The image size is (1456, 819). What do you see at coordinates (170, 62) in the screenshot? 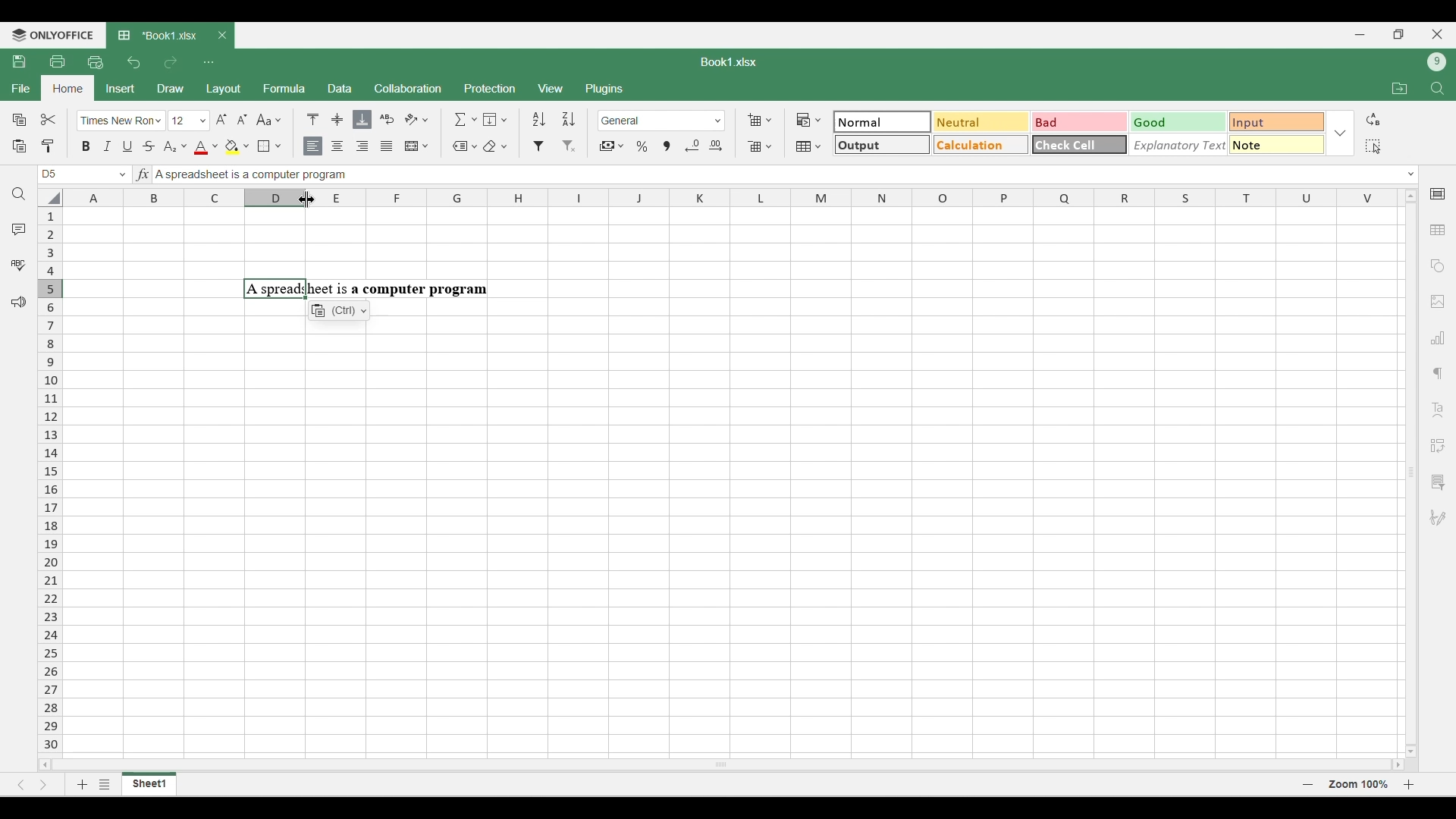
I see `Redo` at bounding box center [170, 62].